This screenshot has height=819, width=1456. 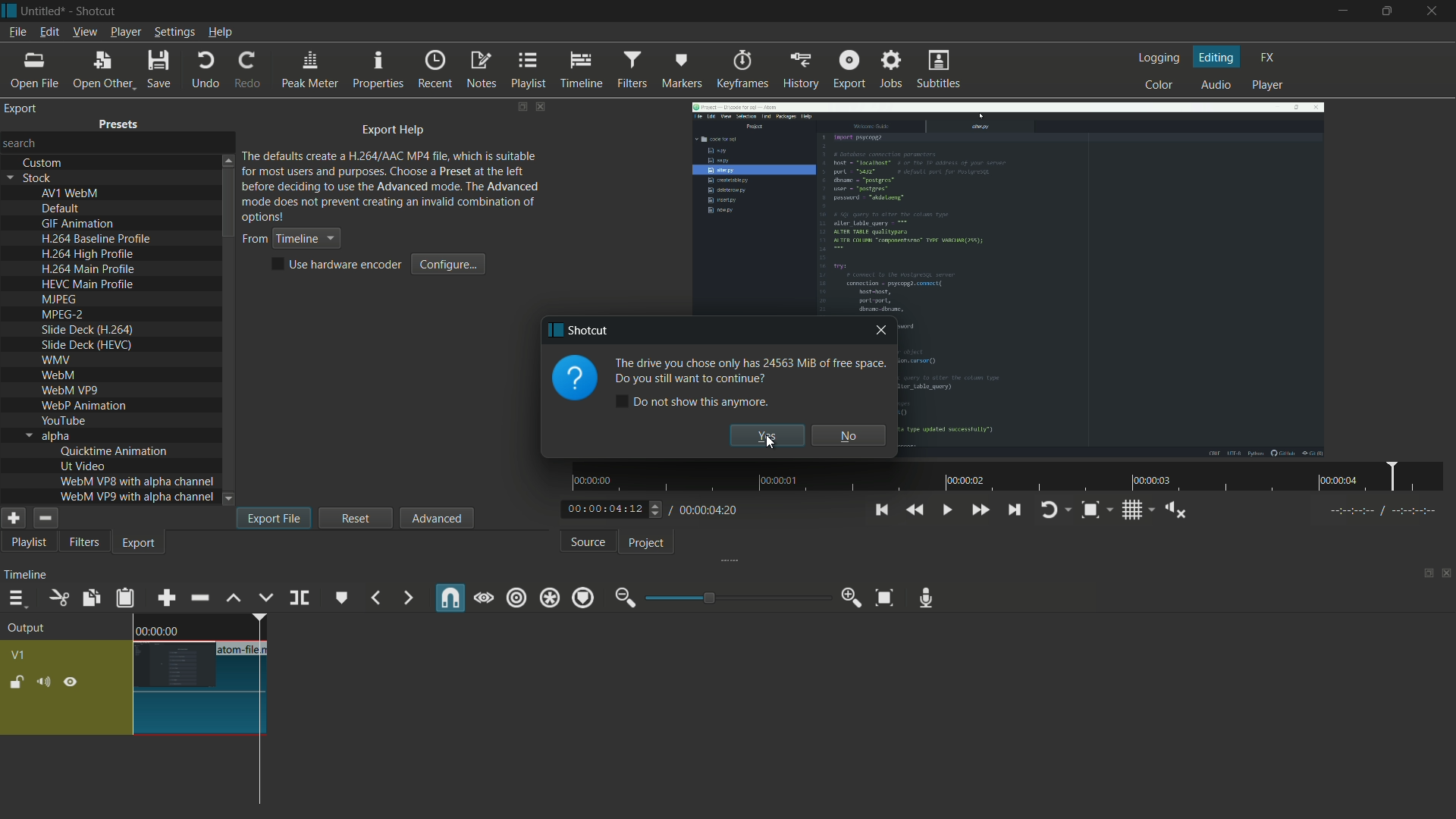 I want to click on webm, so click(x=61, y=377).